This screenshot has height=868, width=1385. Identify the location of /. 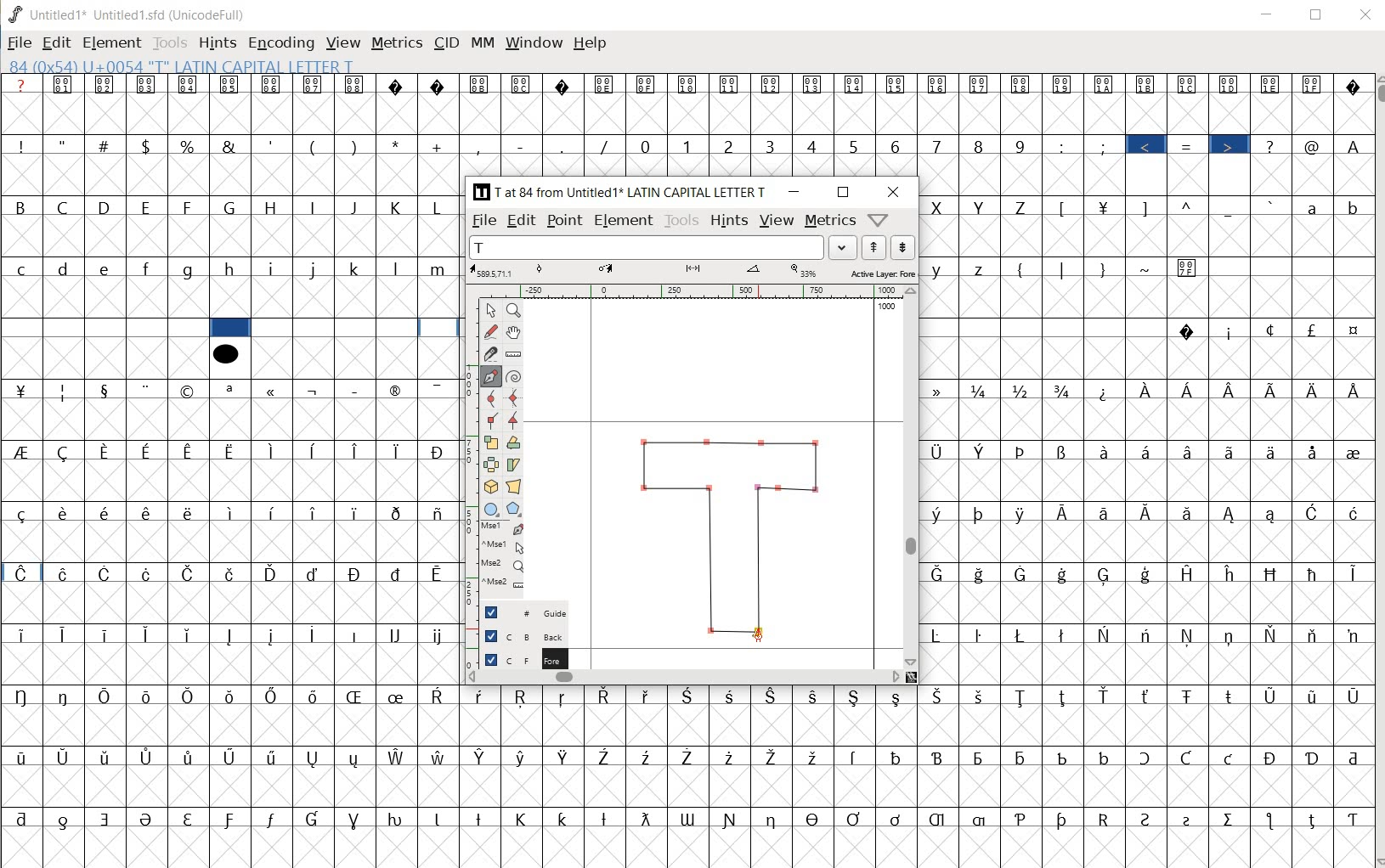
(606, 146).